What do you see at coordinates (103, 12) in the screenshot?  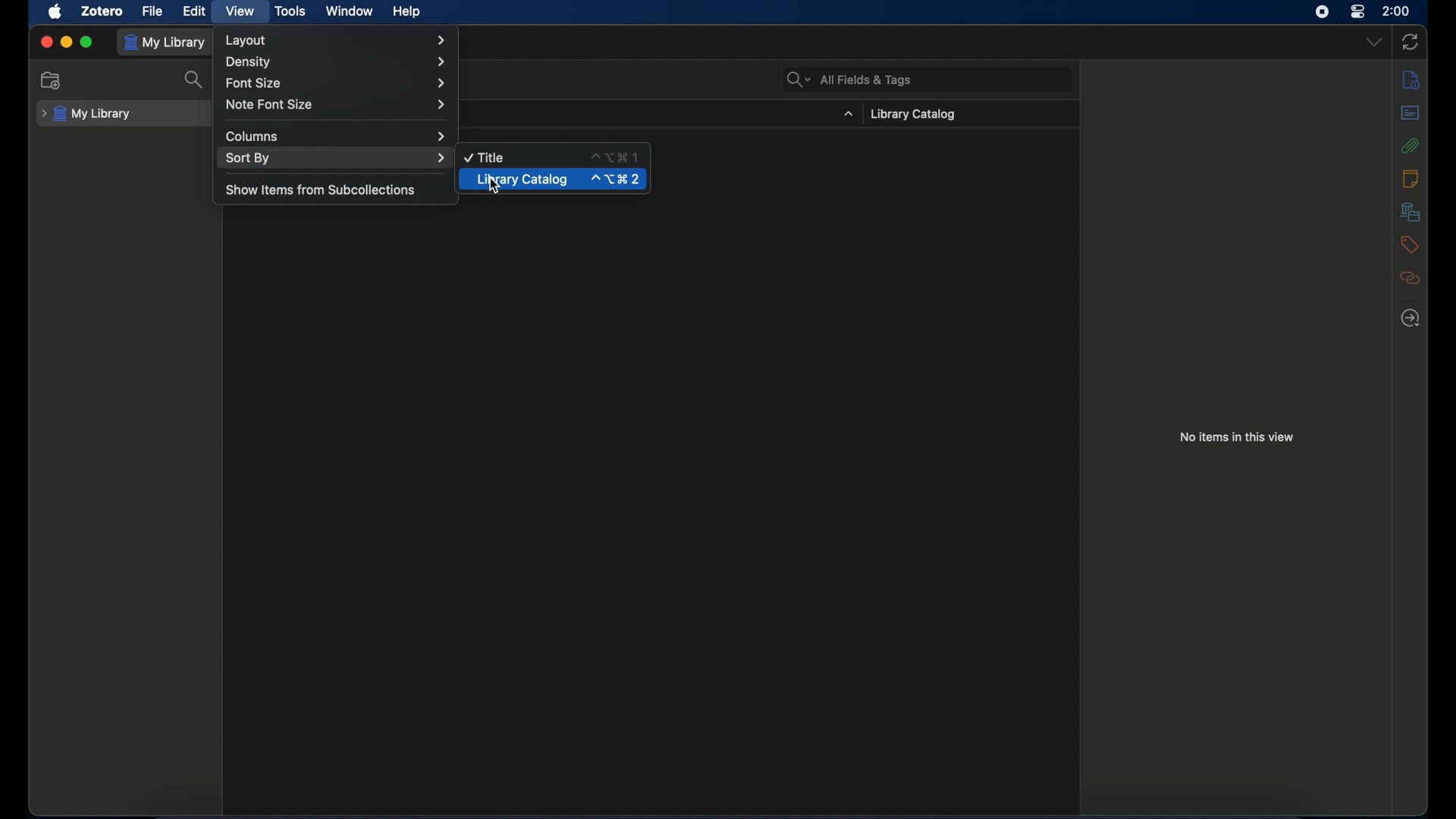 I see `zotero` at bounding box center [103, 12].